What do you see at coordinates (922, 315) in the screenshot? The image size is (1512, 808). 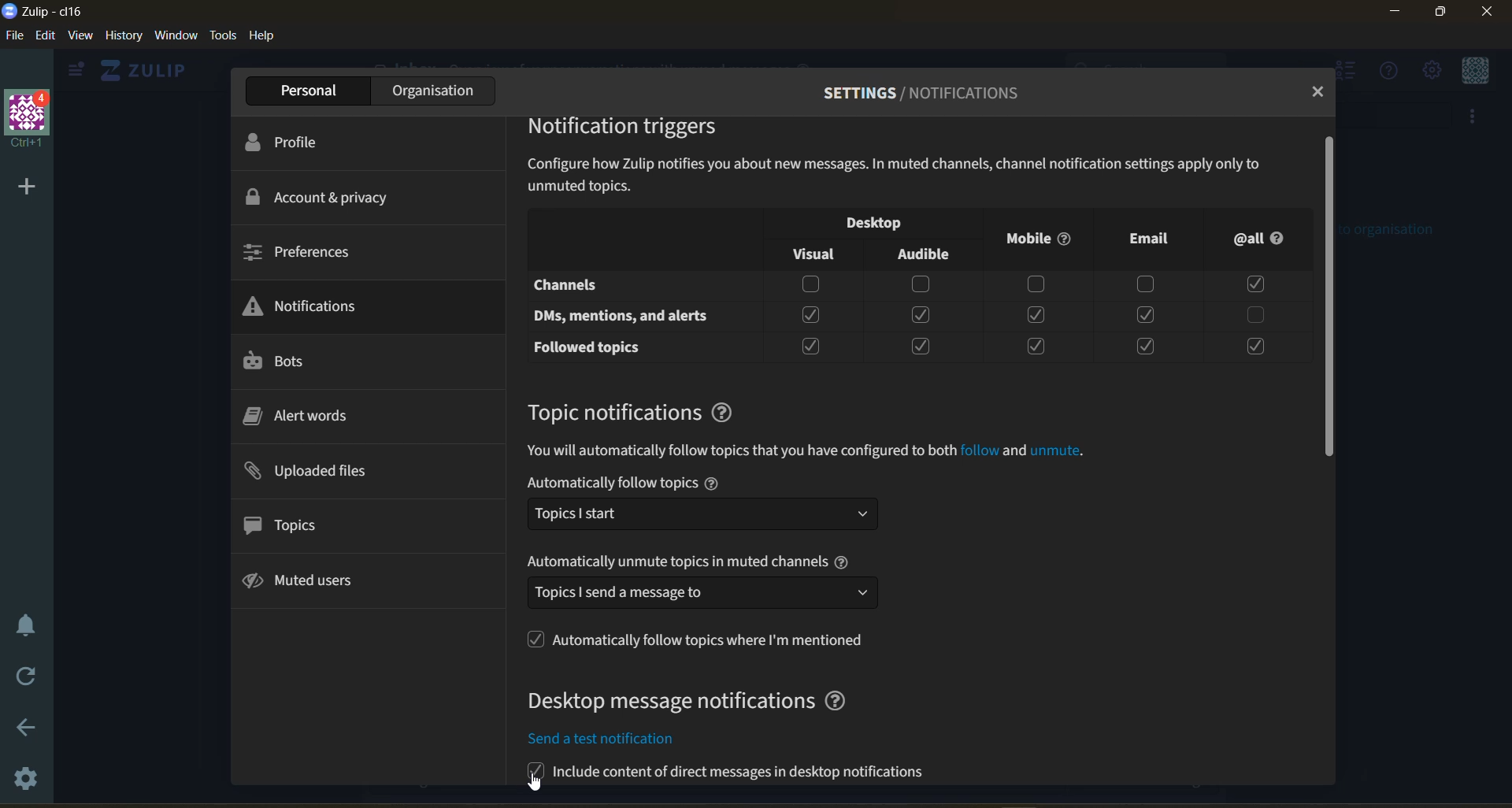 I see `Checkbox` at bounding box center [922, 315].